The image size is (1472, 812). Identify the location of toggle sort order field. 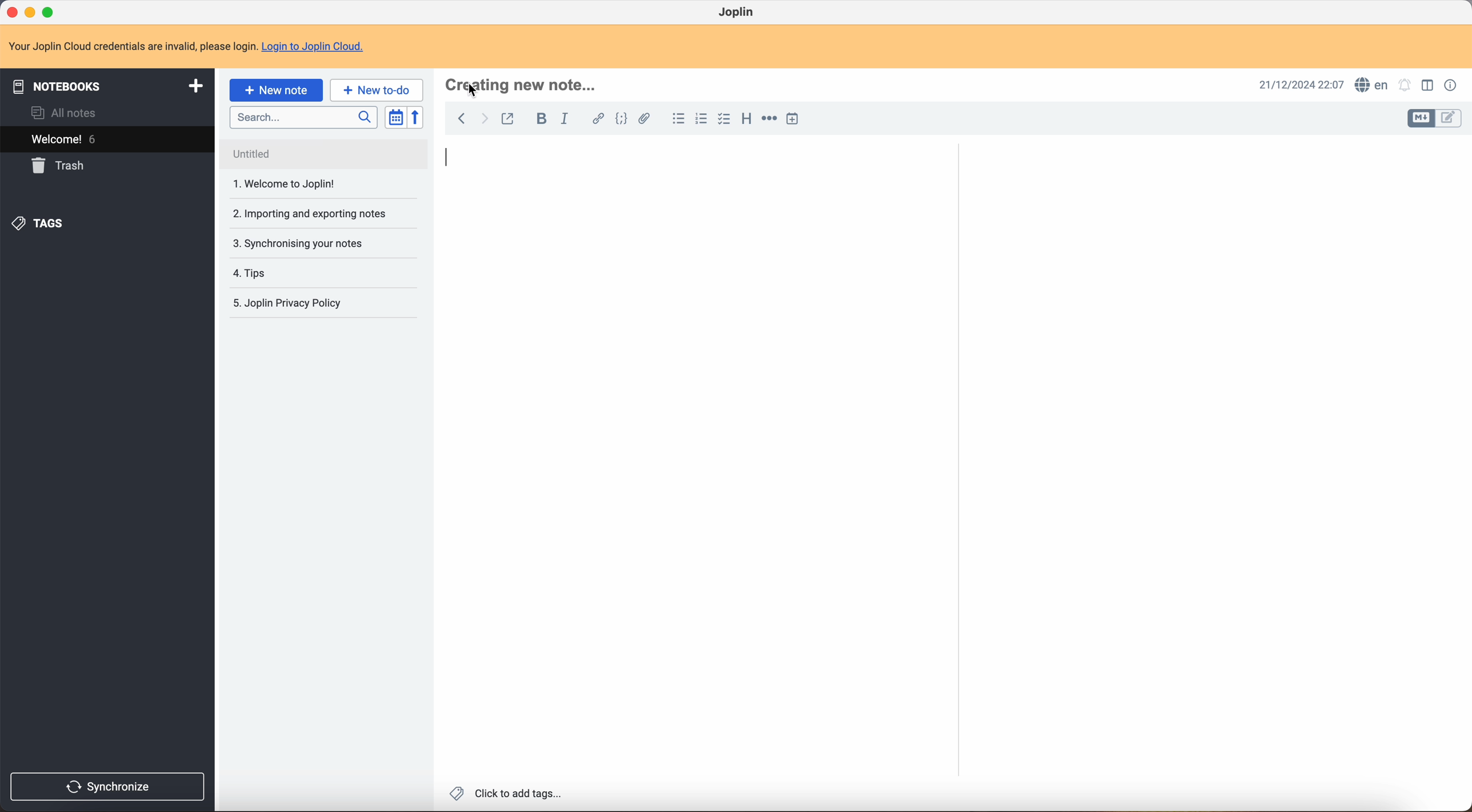
(395, 117).